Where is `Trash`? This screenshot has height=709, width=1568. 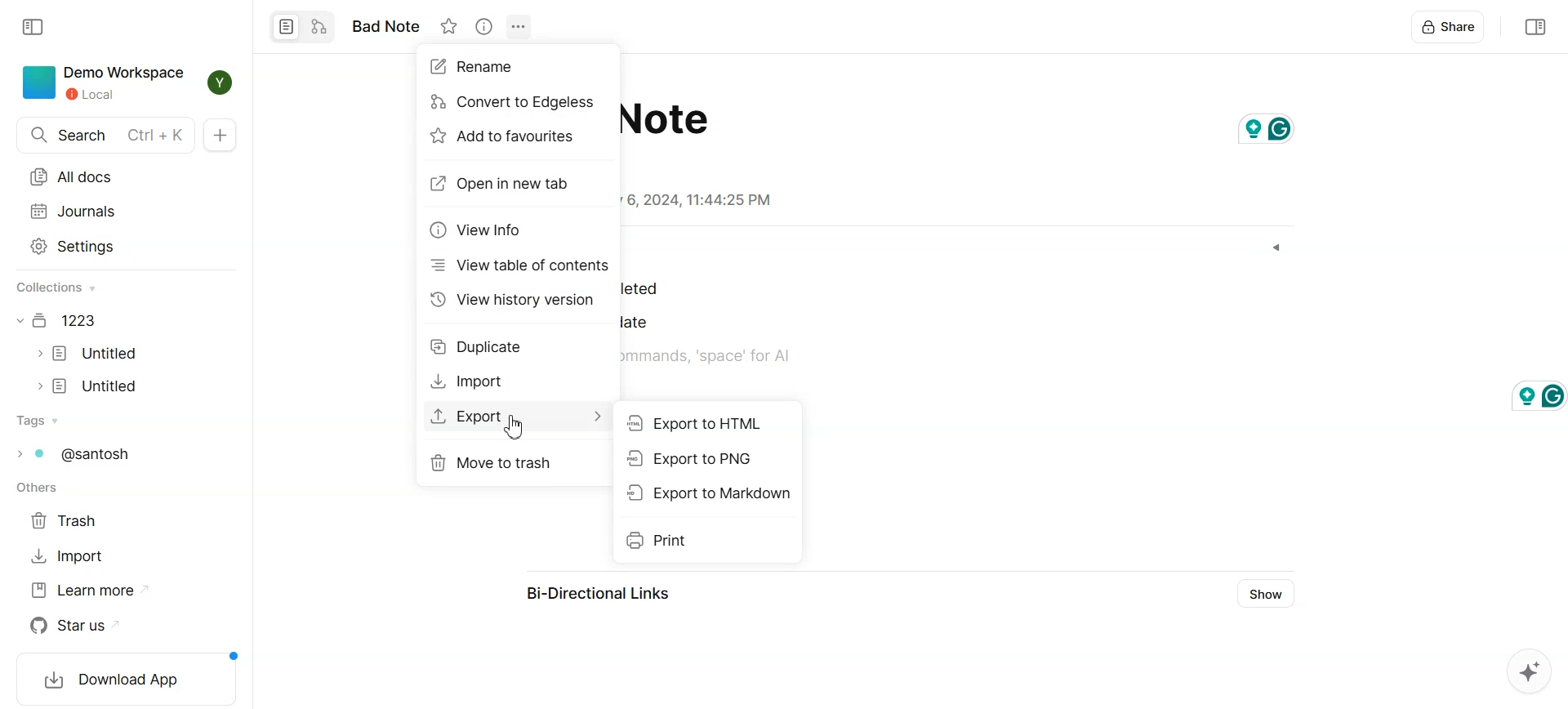
Trash is located at coordinates (69, 520).